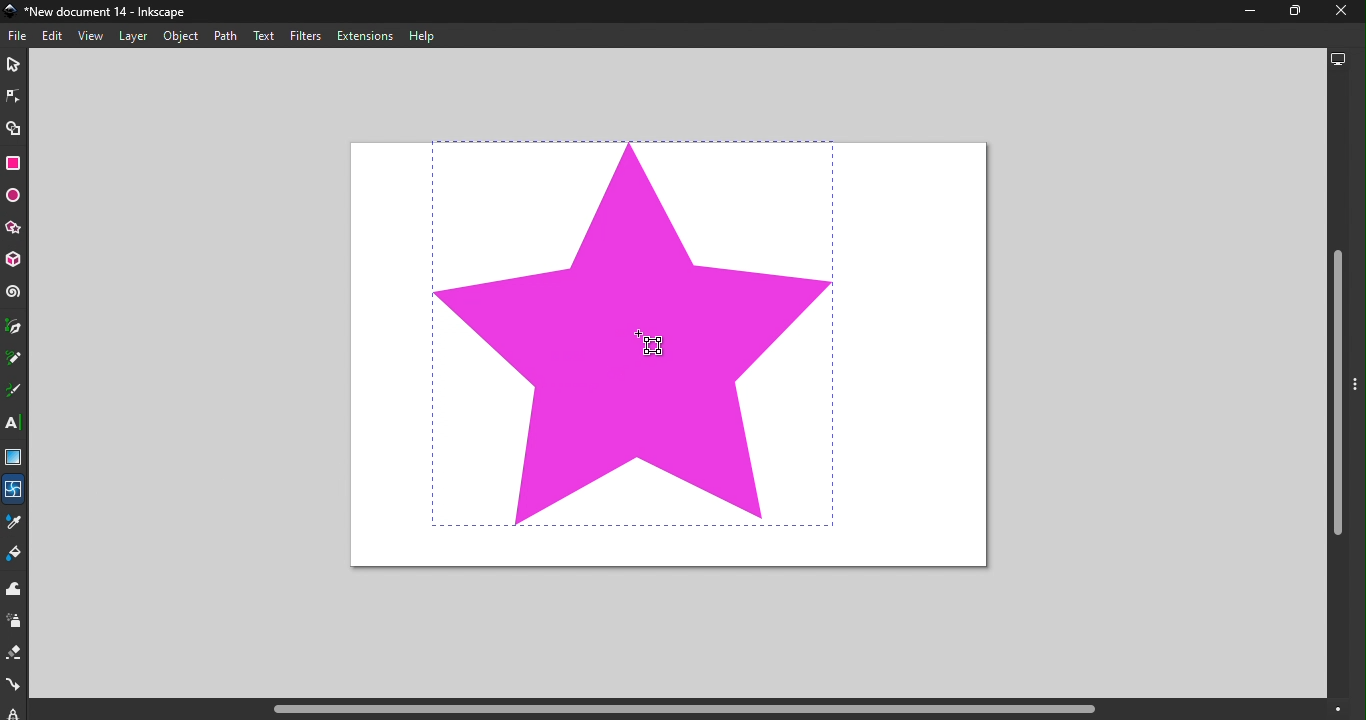 The width and height of the screenshot is (1366, 720). Describe the element at coordinates (364, 36) in the screenshot. I see `Extensions` at that location.